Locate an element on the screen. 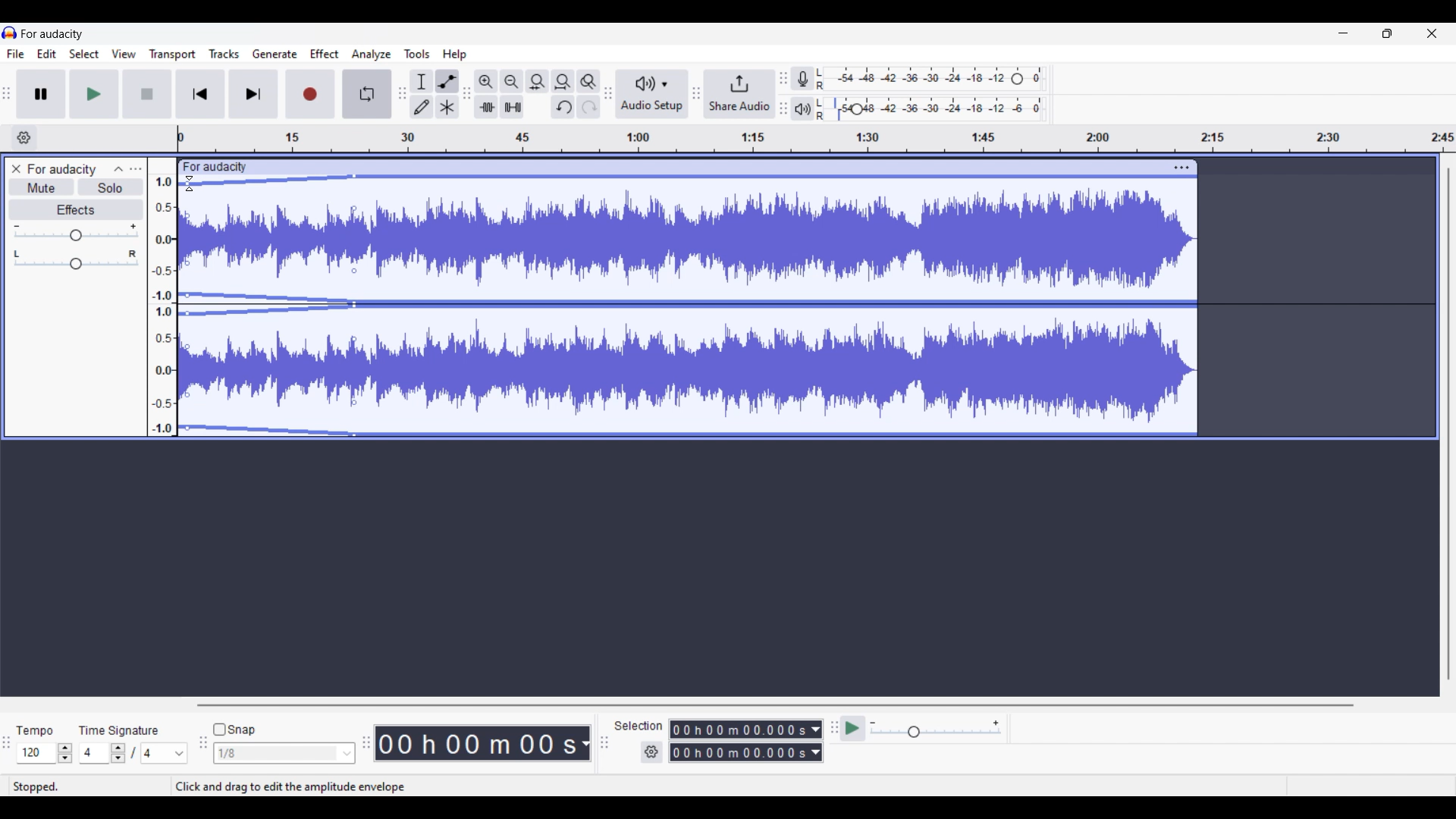  for audacity is located at coordinates (62, 169).